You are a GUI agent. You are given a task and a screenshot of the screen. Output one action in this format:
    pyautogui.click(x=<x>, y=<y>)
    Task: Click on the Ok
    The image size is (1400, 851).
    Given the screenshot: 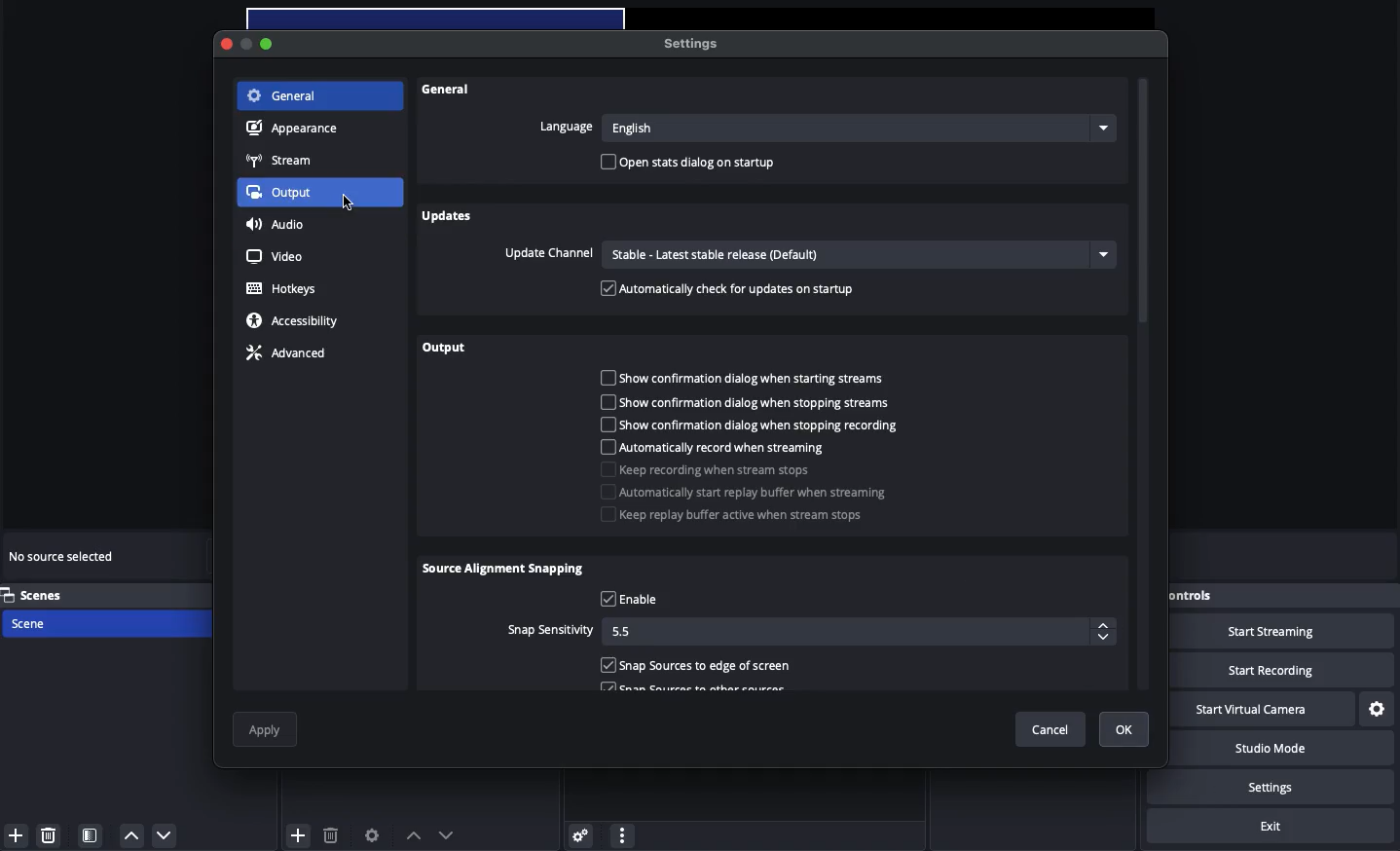 What is the action you would take?
    pyautogui.click(x=1112, y=727)
    